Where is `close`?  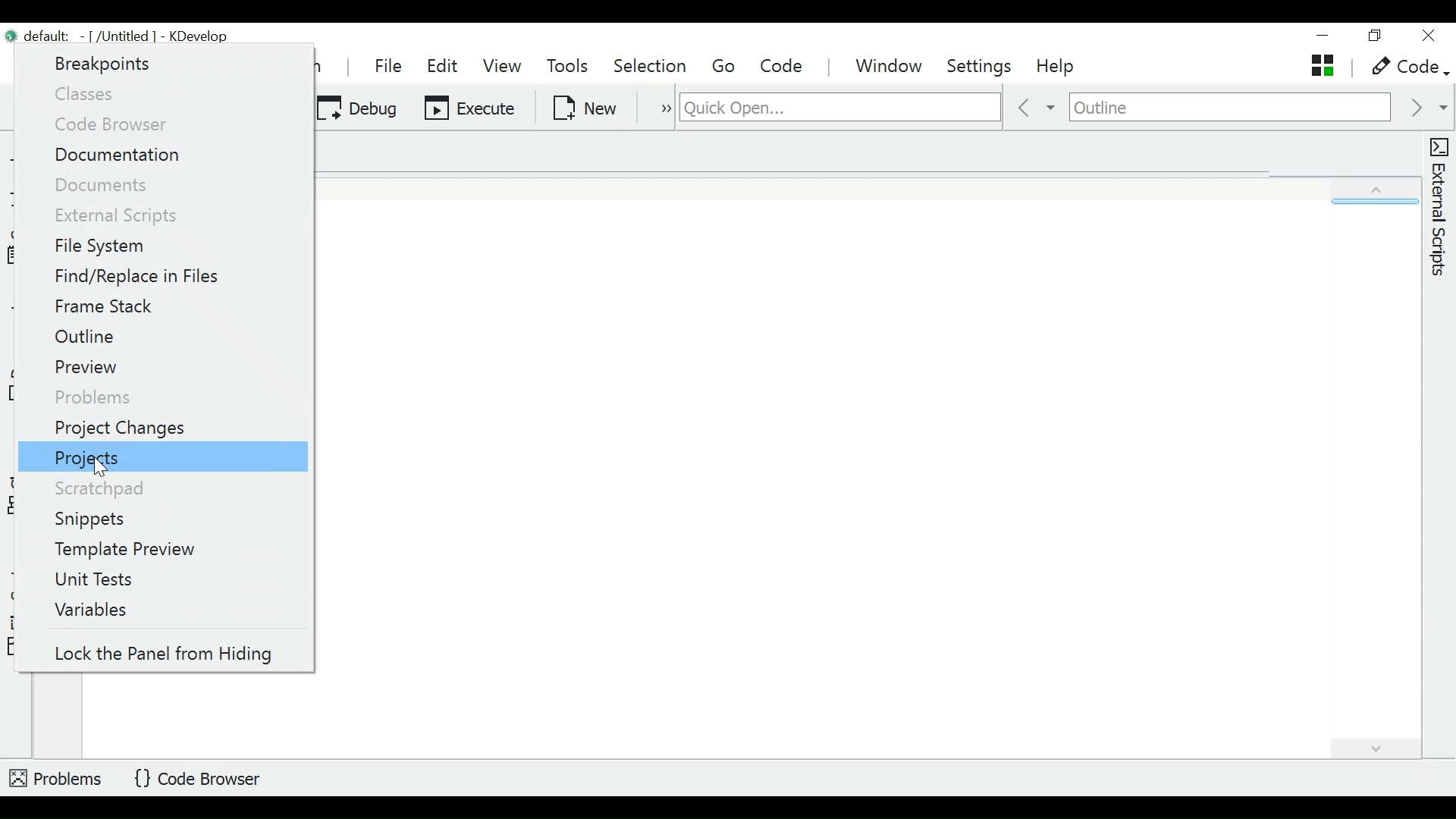
close is located at coordinates (1430, 36).